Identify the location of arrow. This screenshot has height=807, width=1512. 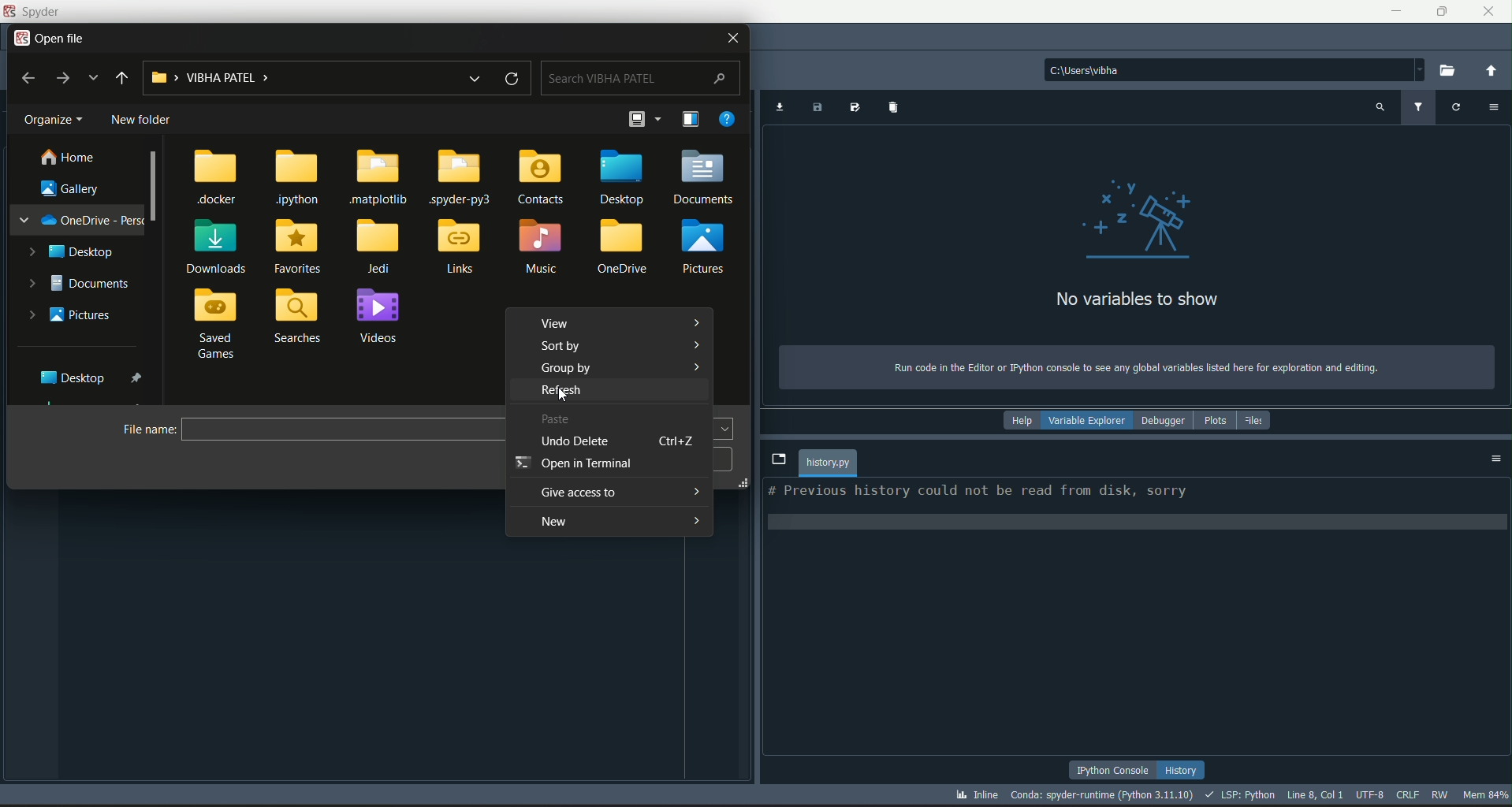
(695, 490).